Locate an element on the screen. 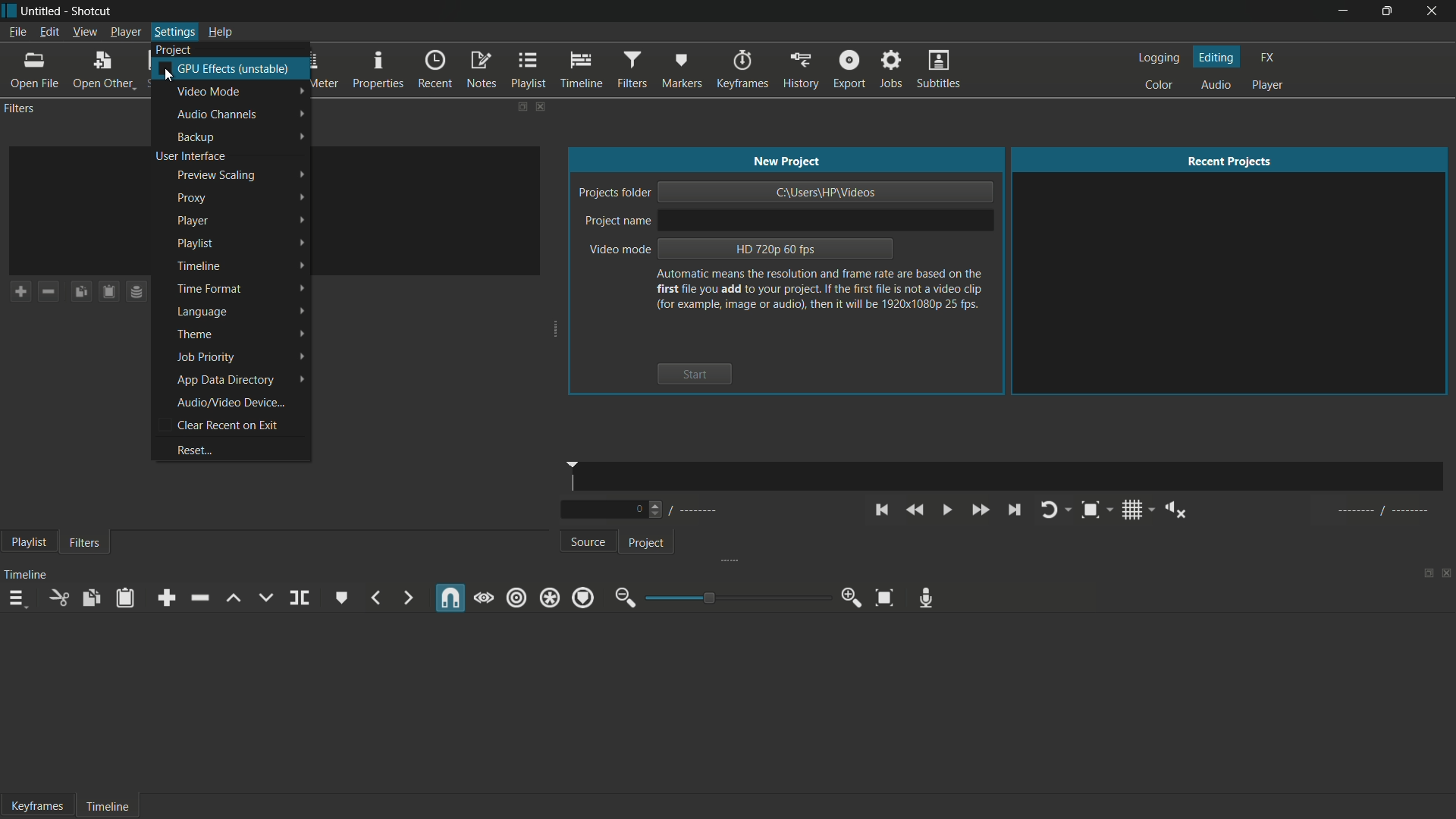 This screenshot has width=1456, height=819. remove a filter is located at coordinates (49, 291).